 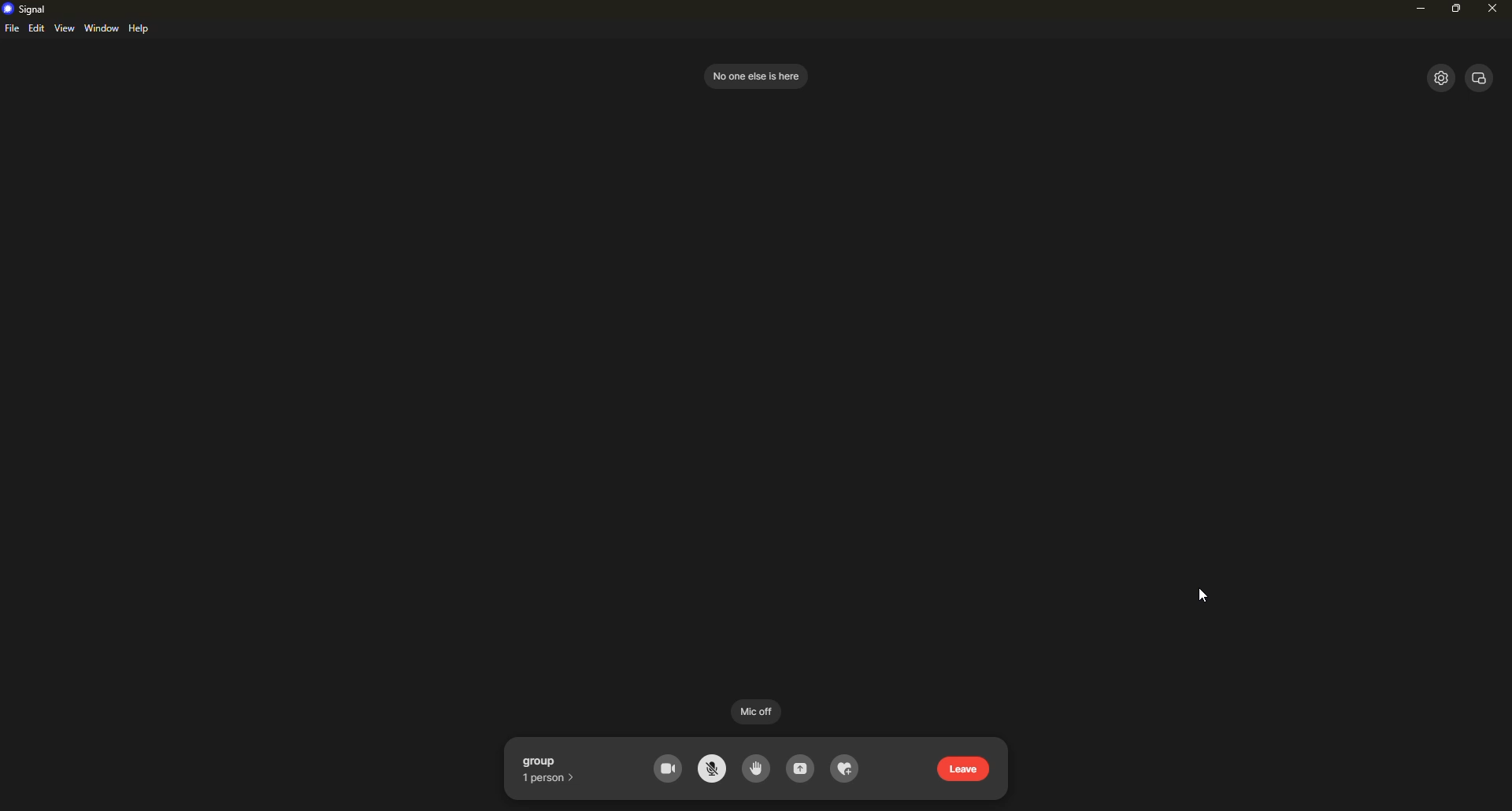 I want to click on group call, so click(x=553, y=760).